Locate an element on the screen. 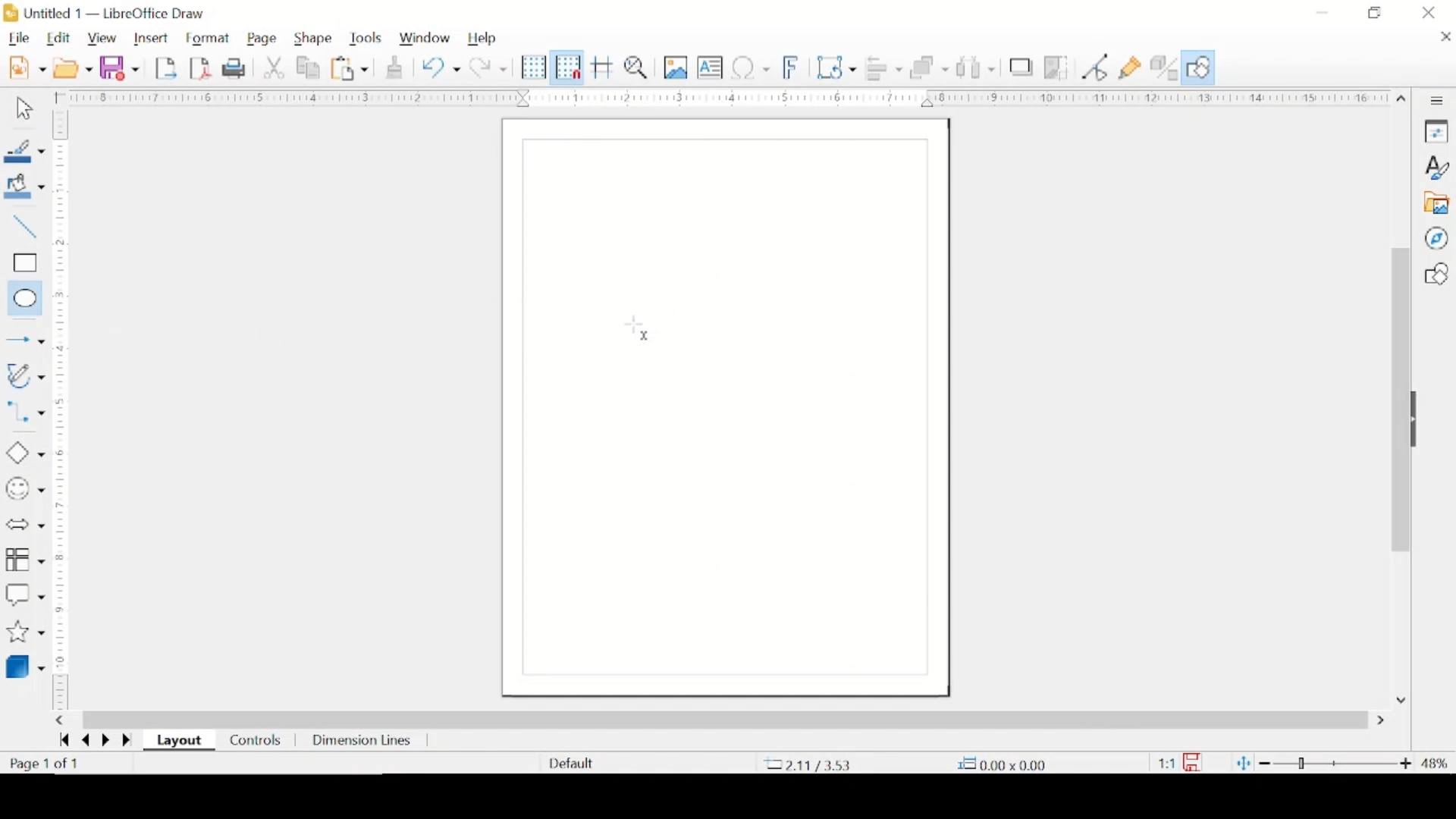 Image resolution: width=1456 pixels, height=819 pixels.  is located at coordinates (21, 337).